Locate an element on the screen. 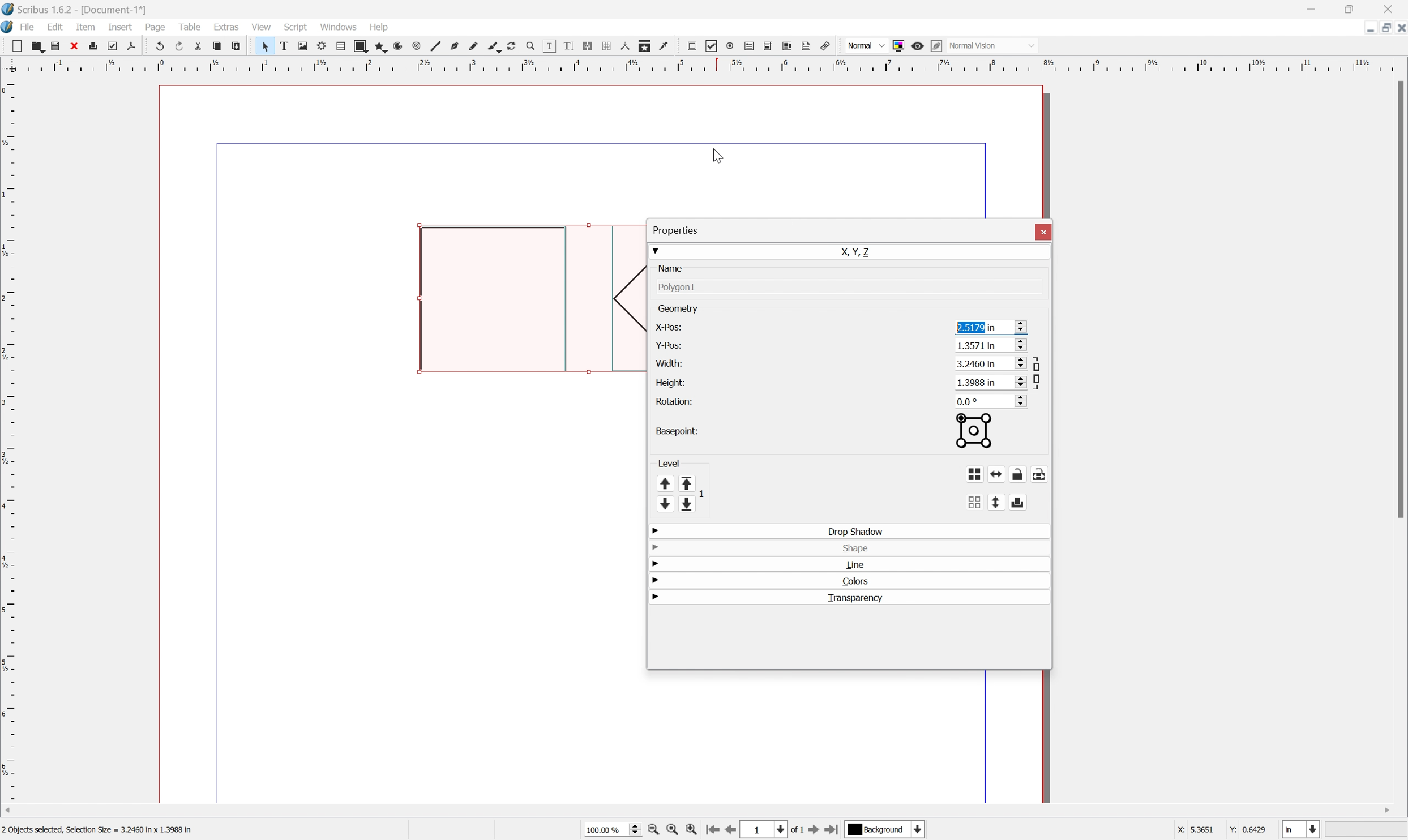 The height and width of the screenshot is (840, 1408). Restore down is located at coordinates (1384, 28).